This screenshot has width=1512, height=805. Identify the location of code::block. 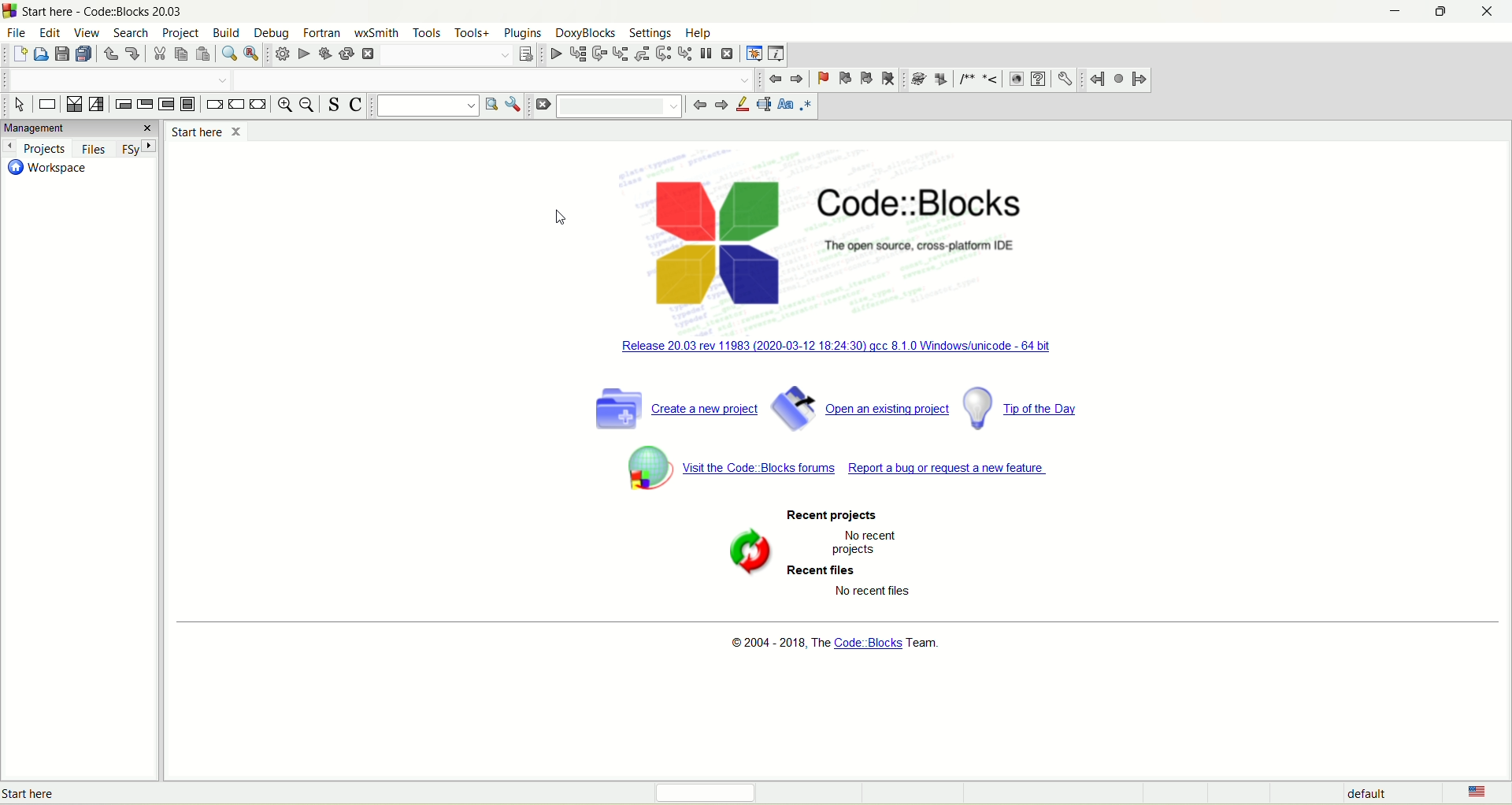
(918, 197).